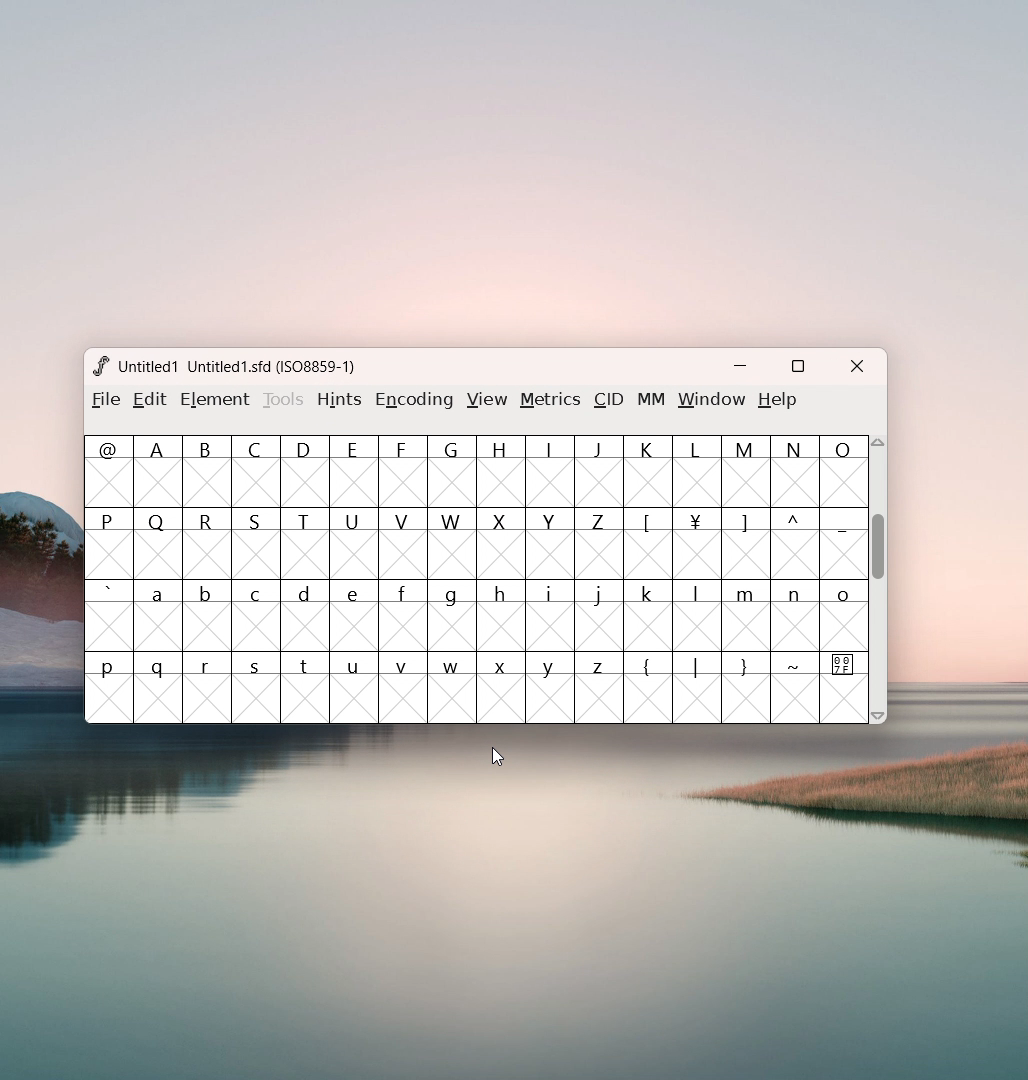  Describe the element at coordinates (699, 544) in the screenshot. I see `¥` at that location.